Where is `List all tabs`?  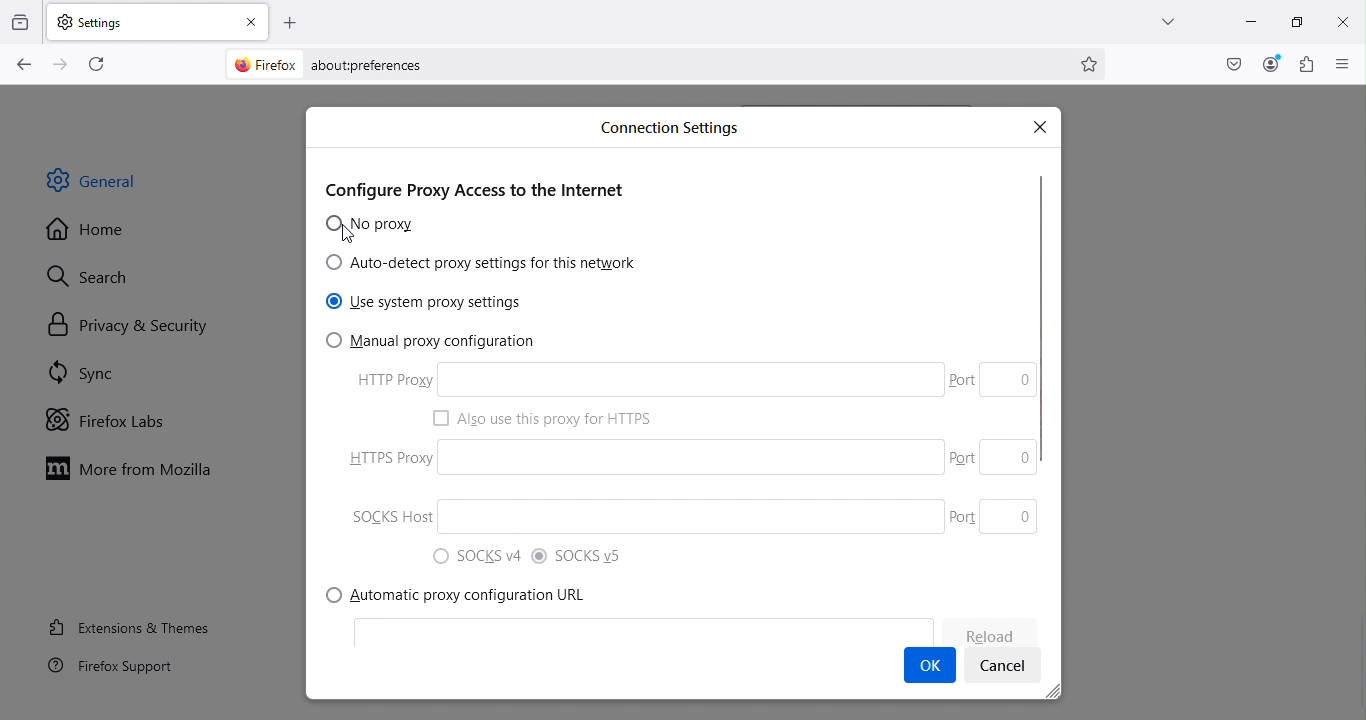 List all tabs is located at coordinates (1158, 19).